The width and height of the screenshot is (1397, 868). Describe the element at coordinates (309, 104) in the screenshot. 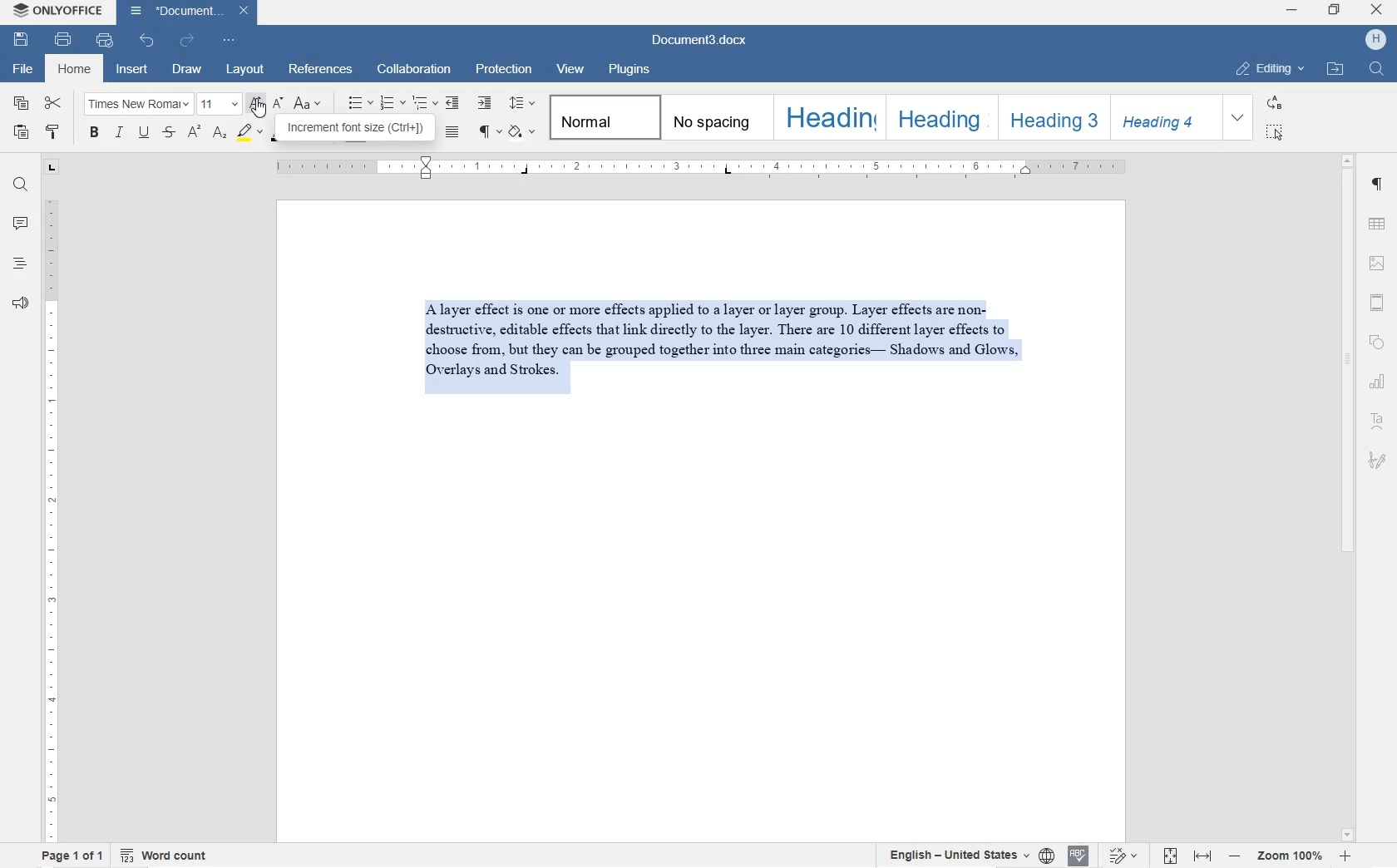

I see `change case` at that location.